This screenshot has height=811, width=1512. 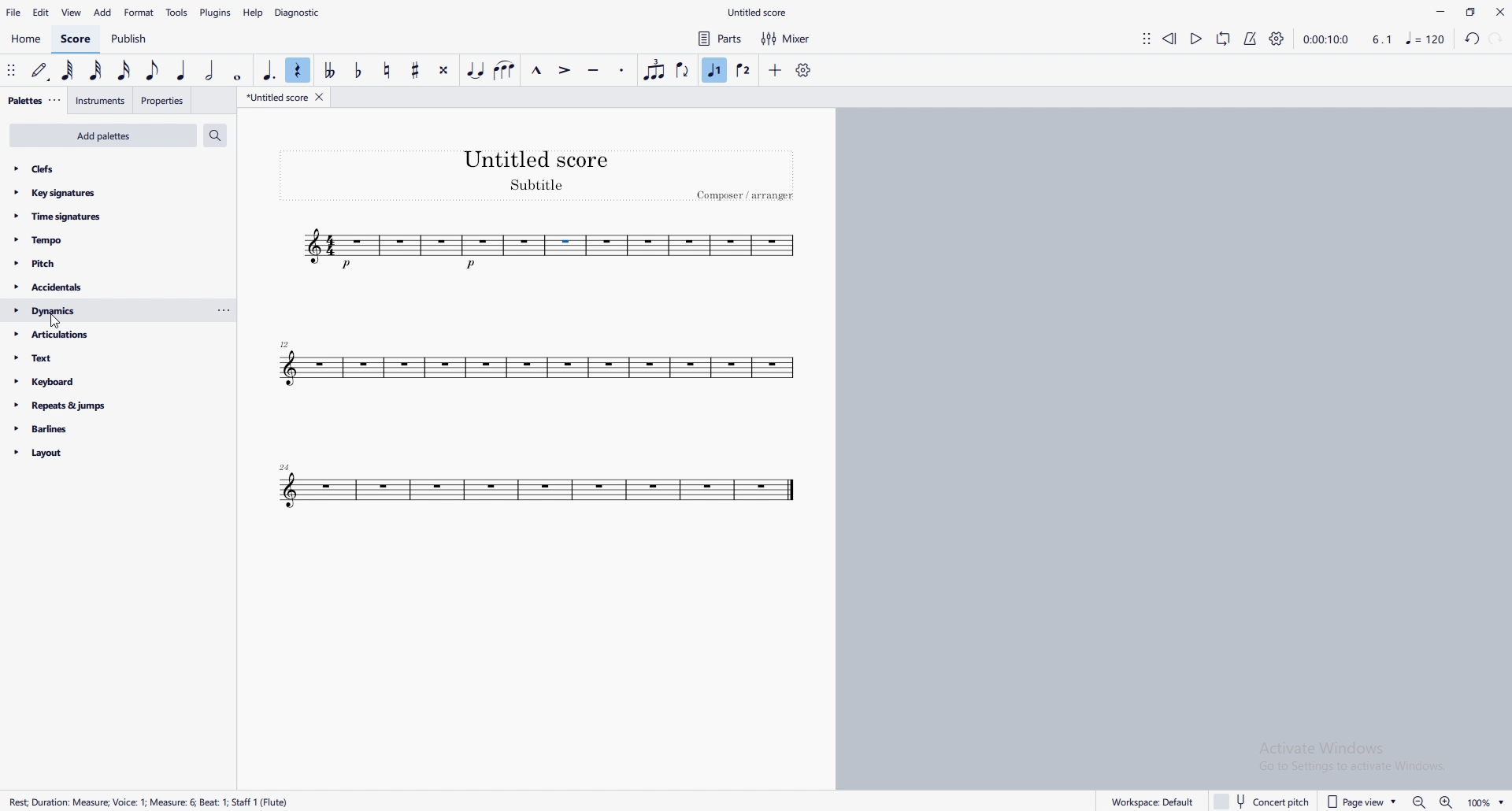 What do you see at coordinates (655, 70) in the screenshot?
I see `tuplet` at bounding box center [655, 70].